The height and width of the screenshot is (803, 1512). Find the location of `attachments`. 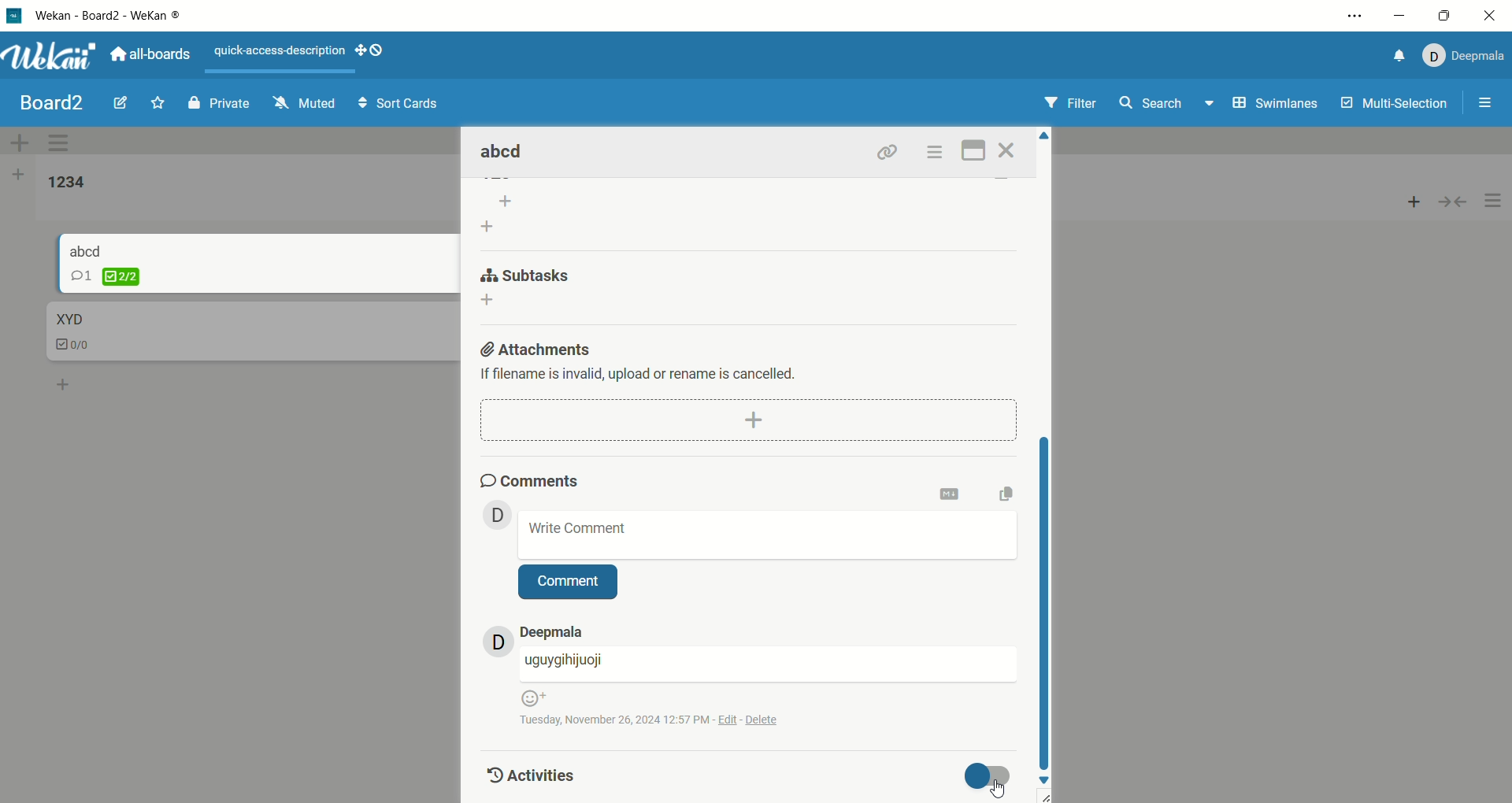

attachments is located at coordinates (538, 346).